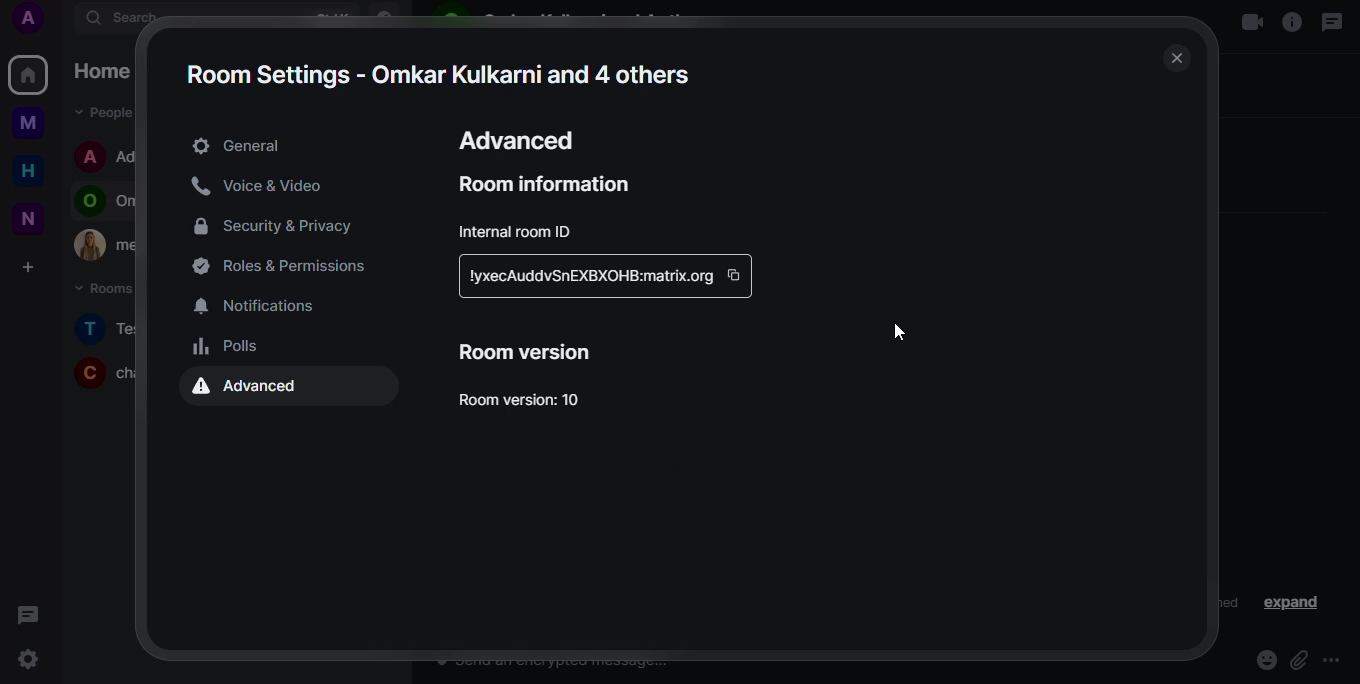 This screenshot has width=1360, height=684. I want to click on search, so click(145, 18).